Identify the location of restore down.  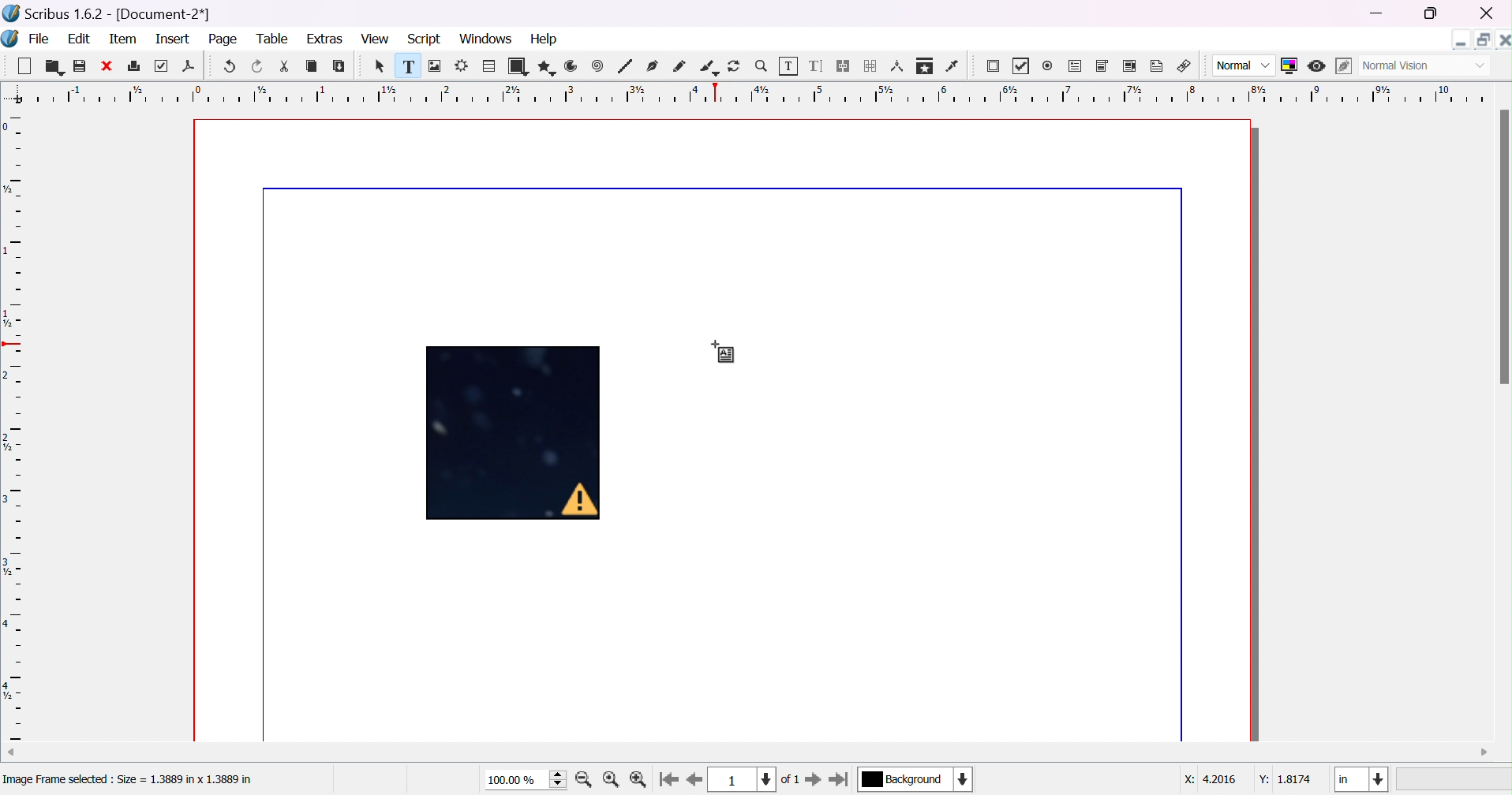
(1480, 36).